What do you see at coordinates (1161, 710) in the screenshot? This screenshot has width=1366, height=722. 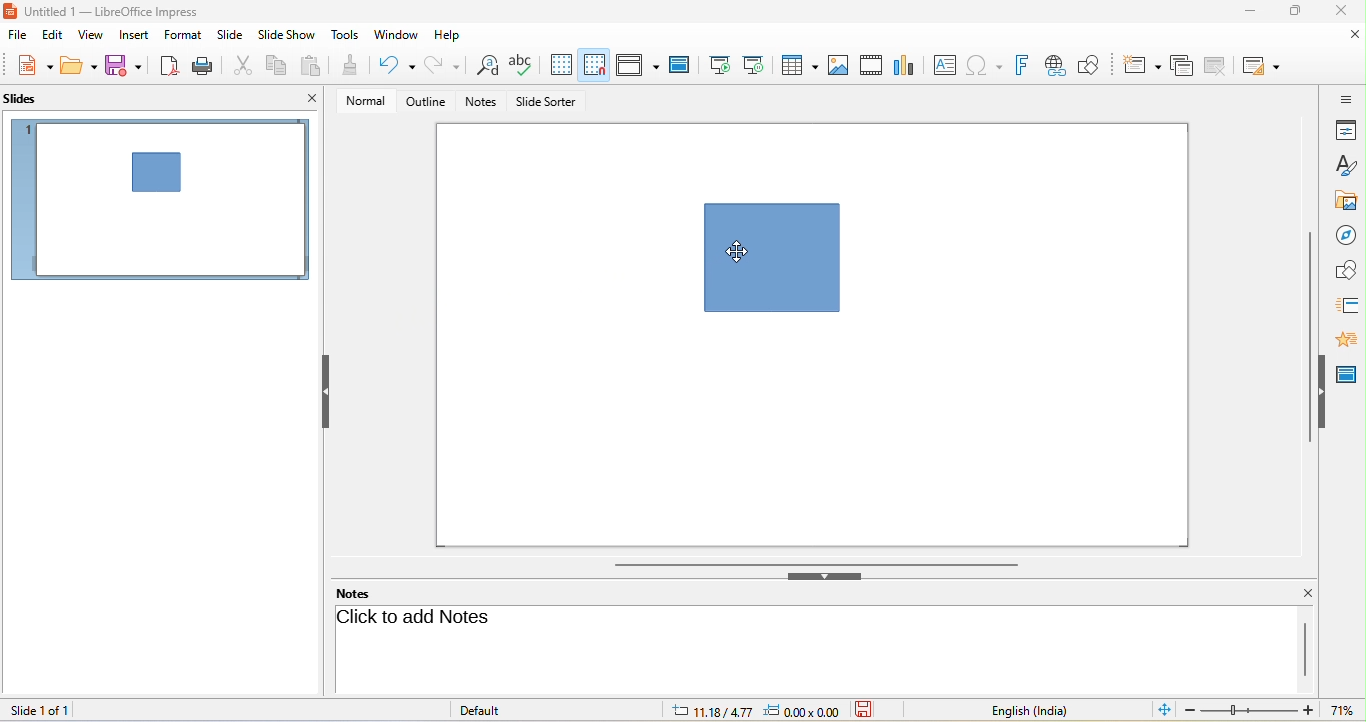 I see `fit slide to current window` at bounding box center [1161, 710].